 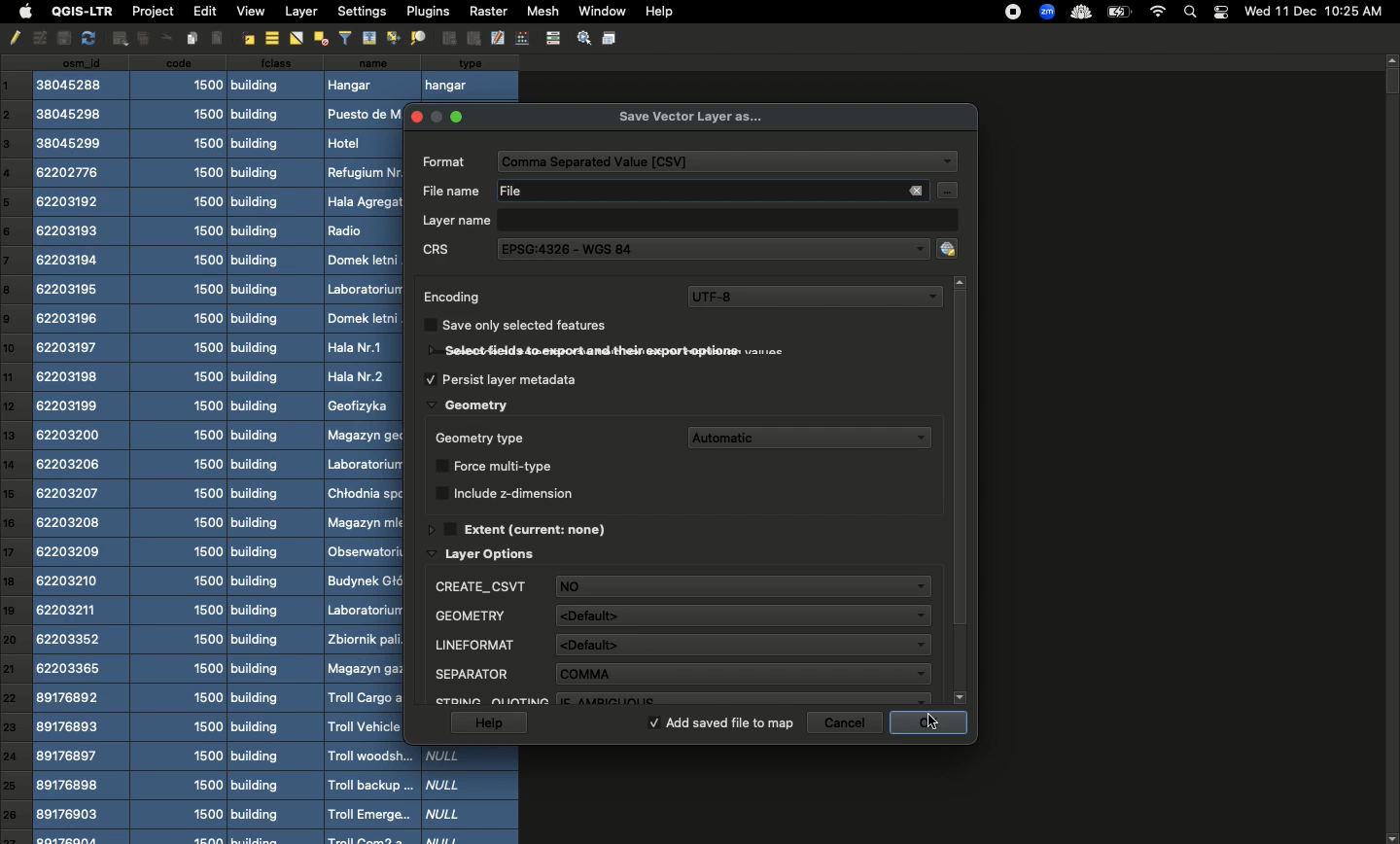 What do you see at coordinates (581, 37) in the screenshot?
I see `Settings` at bounding box center [581, 37].